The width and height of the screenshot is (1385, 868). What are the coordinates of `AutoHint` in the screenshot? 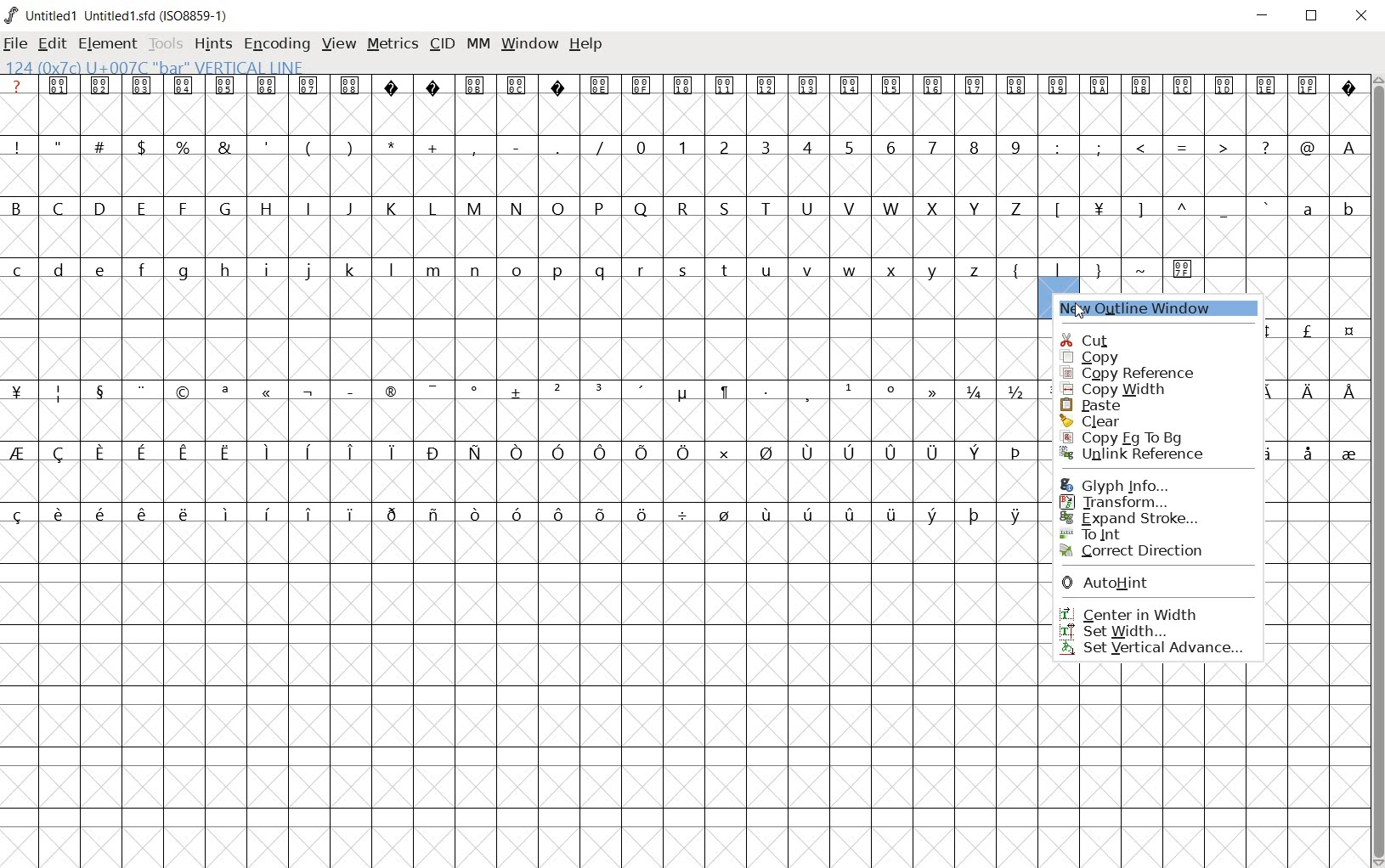 It's located at (1154, 585).